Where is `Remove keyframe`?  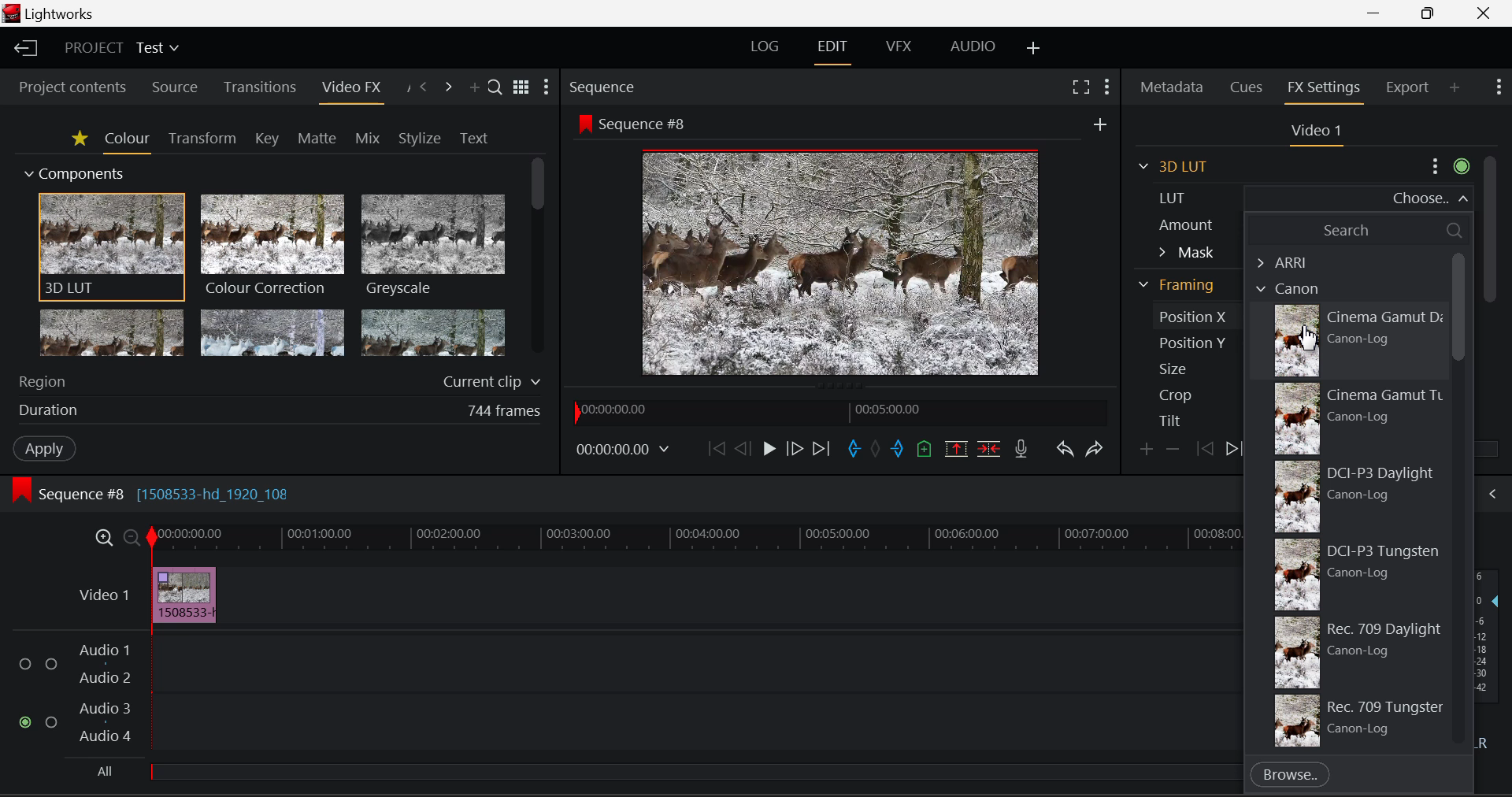
Remove keyframe is located at coordinates (1173, 452).